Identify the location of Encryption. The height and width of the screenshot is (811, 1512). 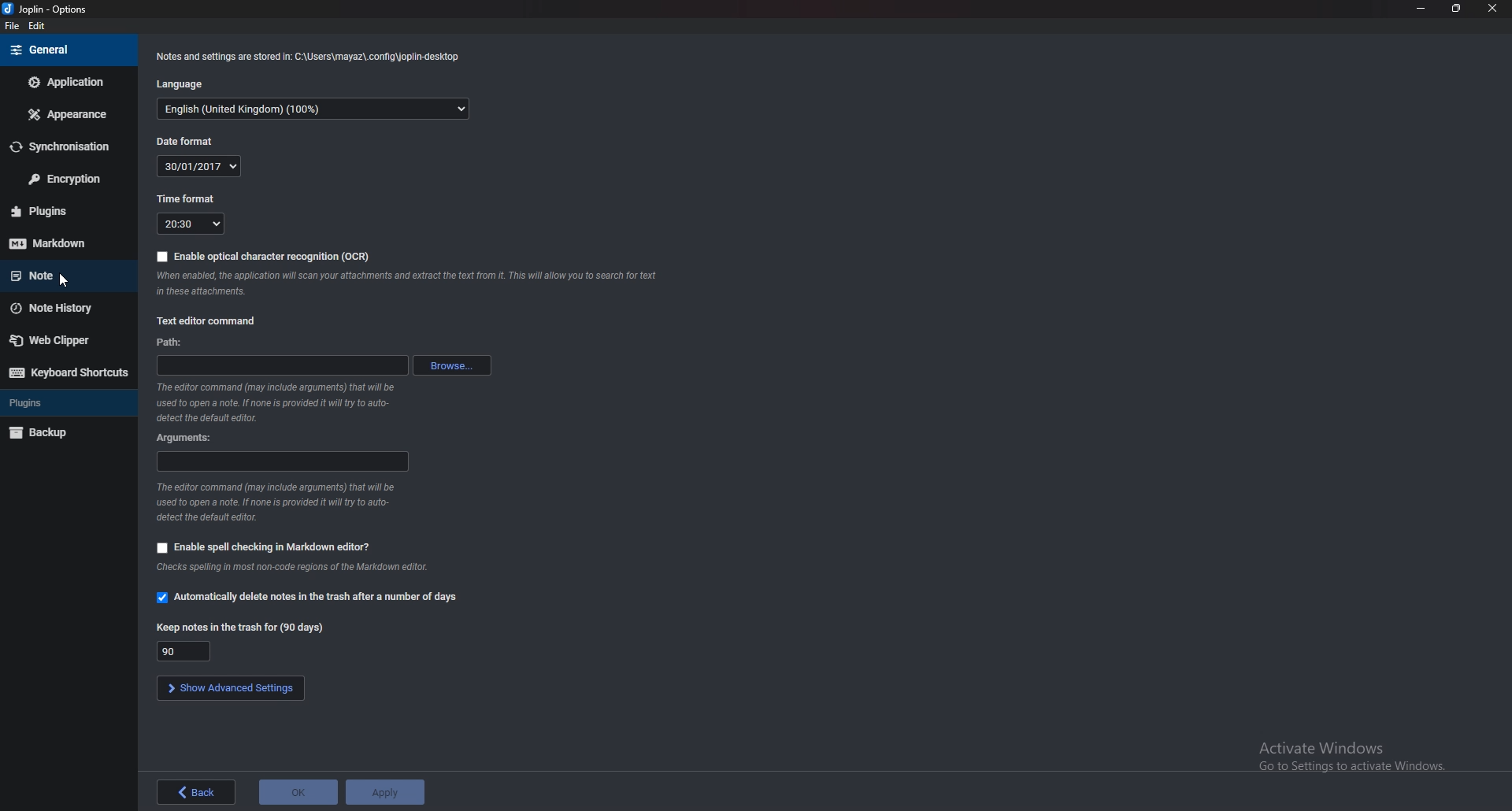
(66, 180).